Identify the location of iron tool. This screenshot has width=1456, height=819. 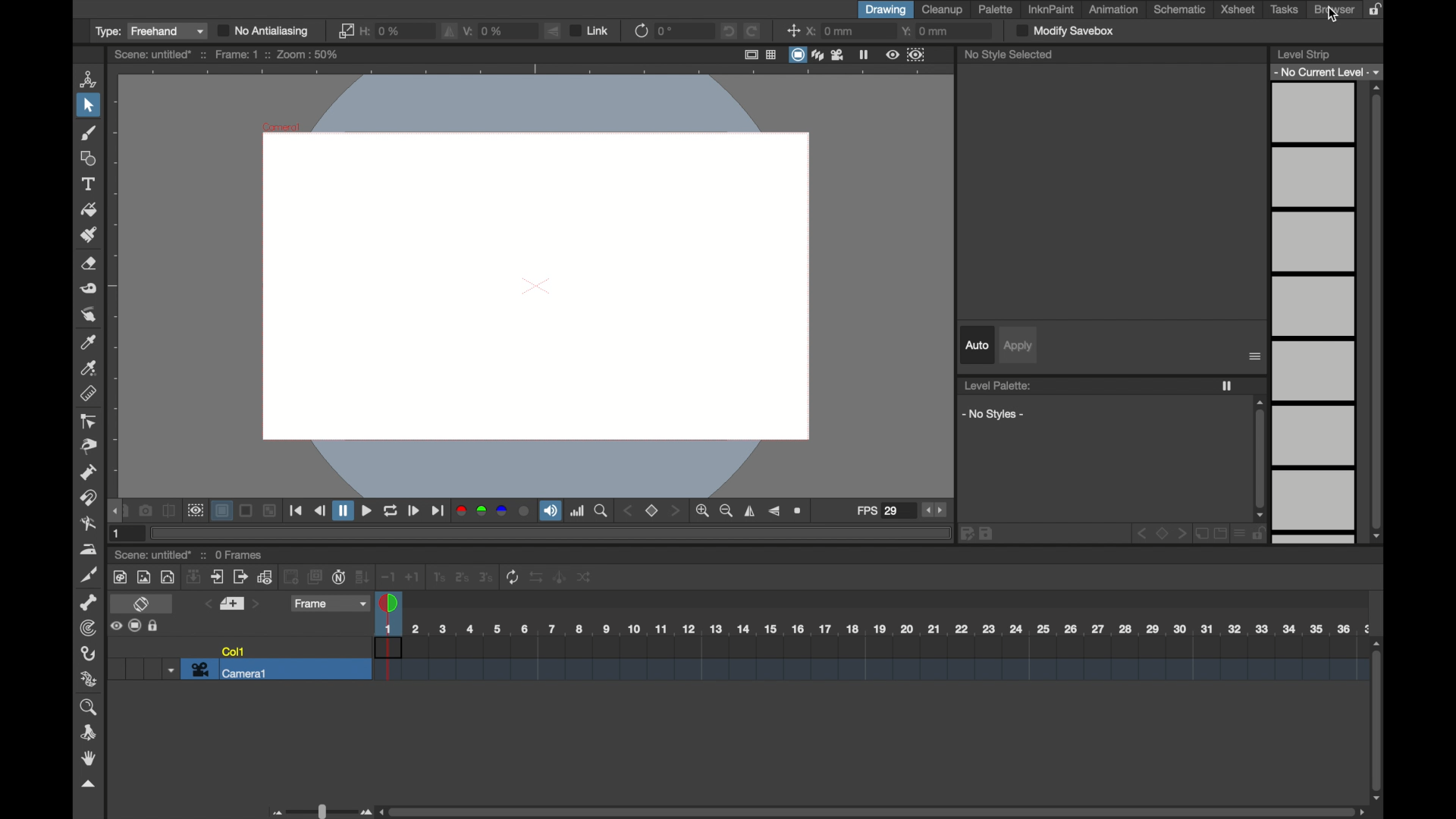
(88, 549).